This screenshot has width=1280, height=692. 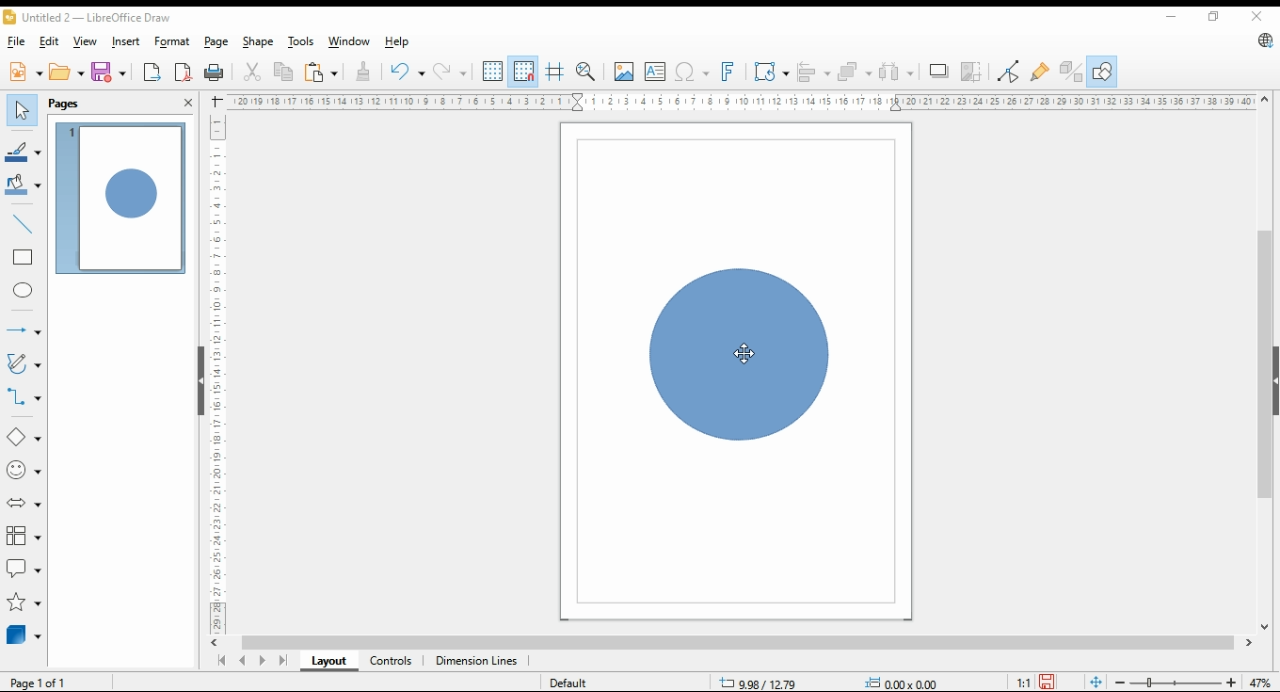 What do you see at coordinates (253, 71) in the screenshot?
I see `cut` at bounding box center [253, 71].